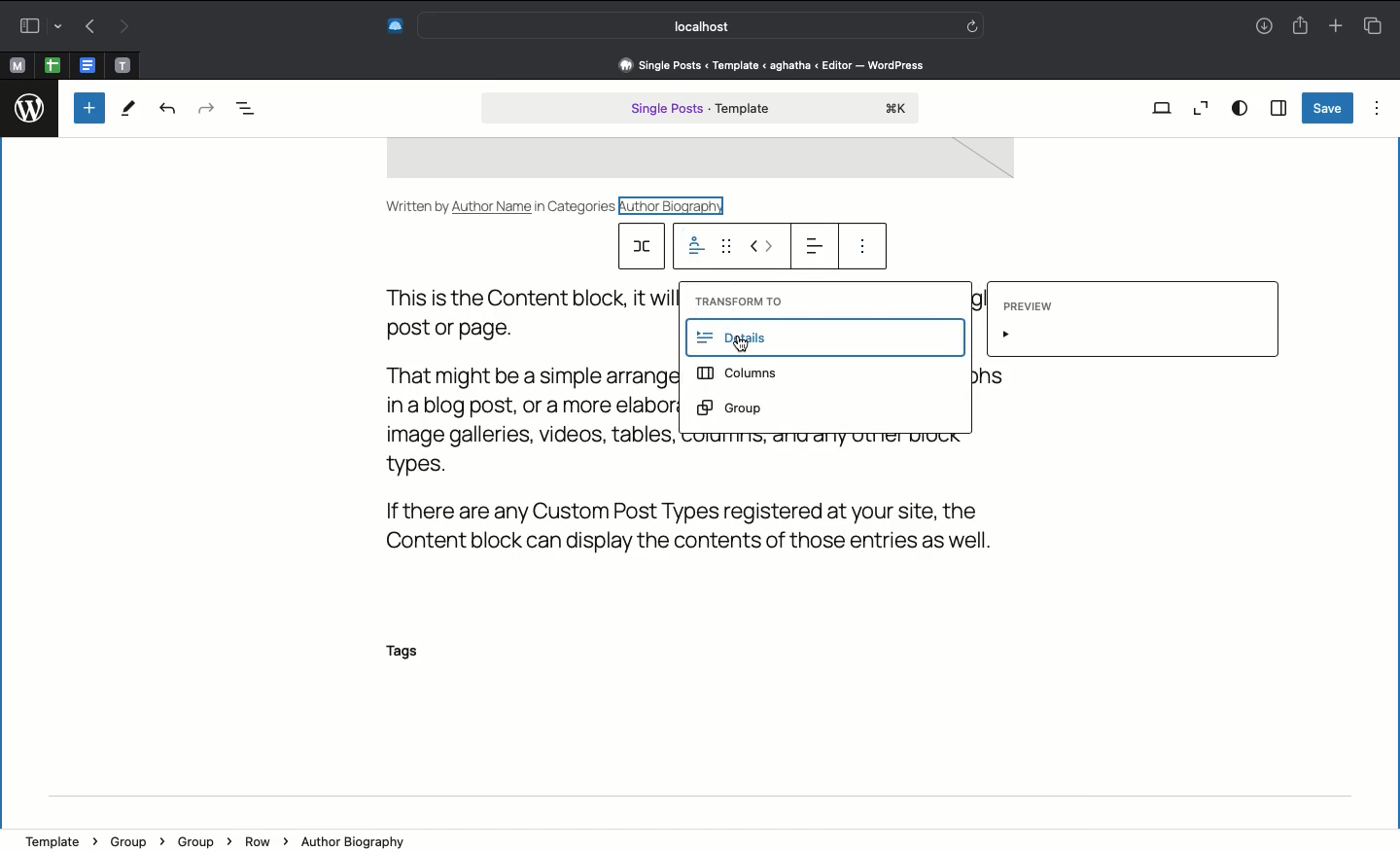  What do you see at coordinates (393, 25) in the screenshot?
I see `Extensions` at bounding box center [393, 25].